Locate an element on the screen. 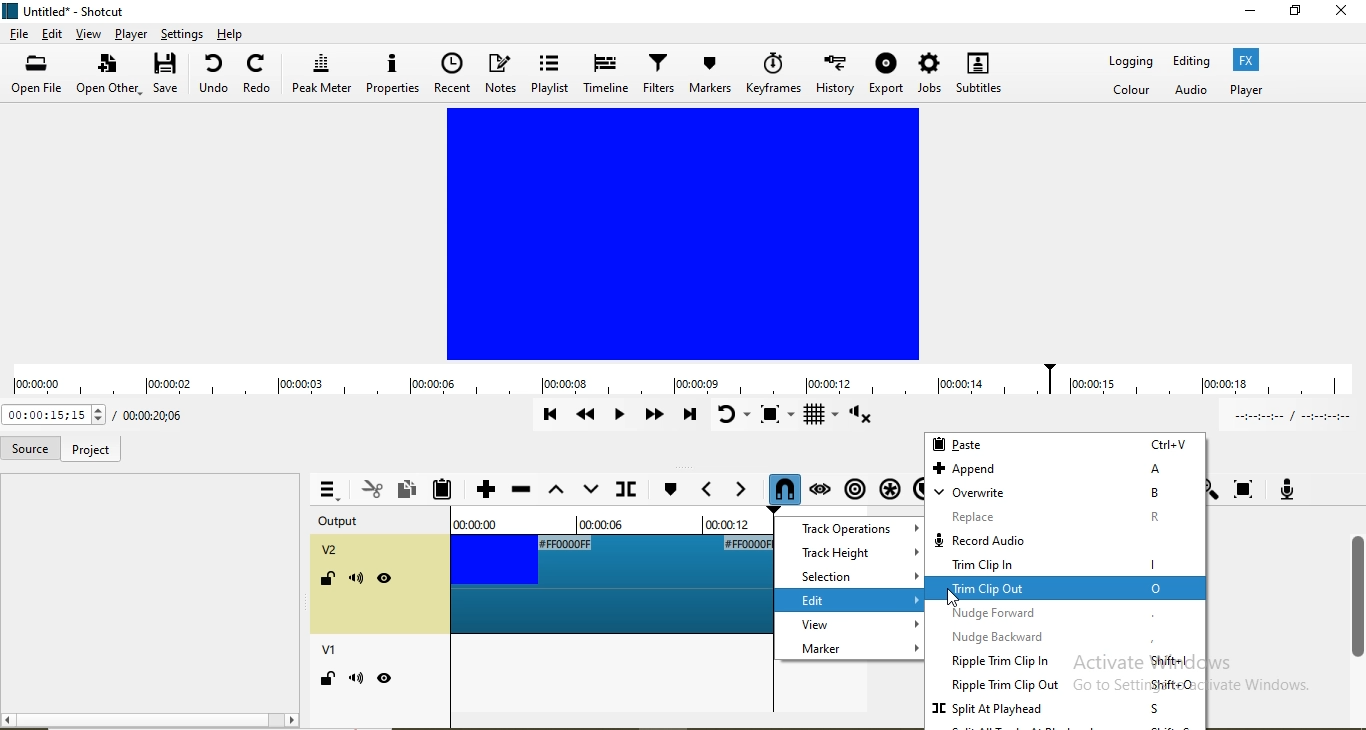 Image resolution: width=1366 pixels, height=730 pixels. minimse is located at coordinates (1250, 14).